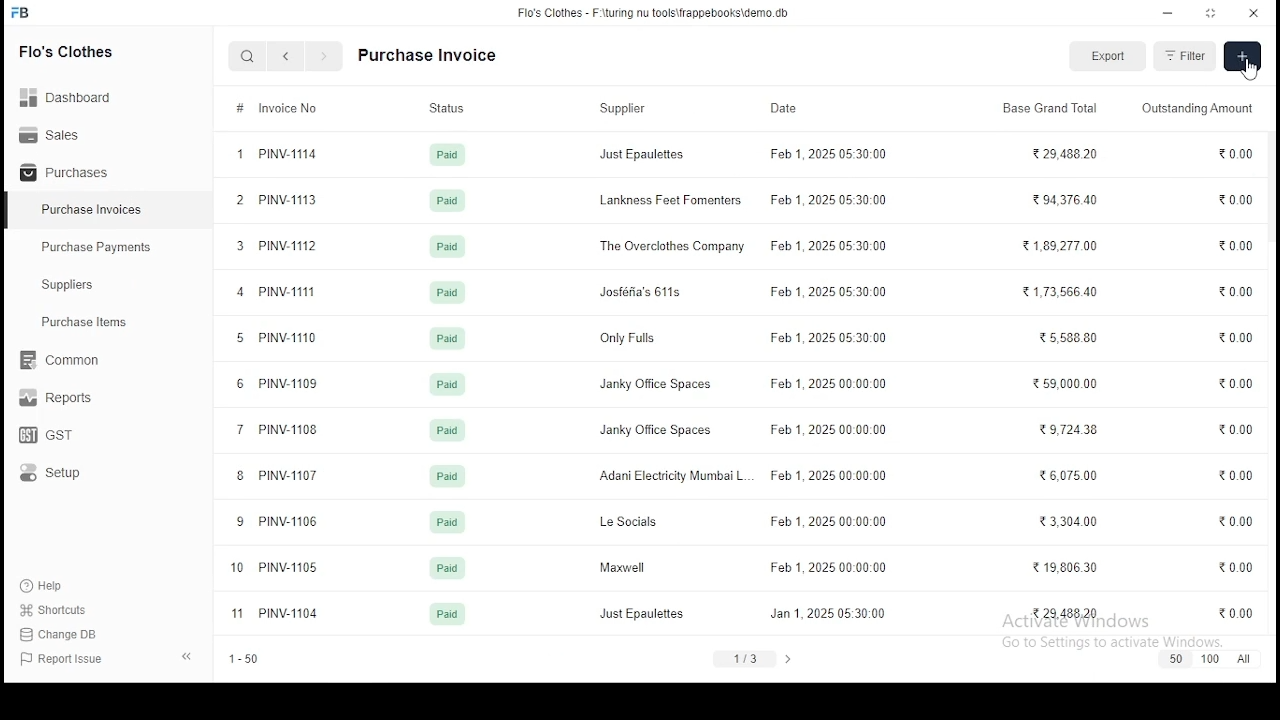 The image size is (1280, 720). I want to click on only fulls, so click(634, 338).